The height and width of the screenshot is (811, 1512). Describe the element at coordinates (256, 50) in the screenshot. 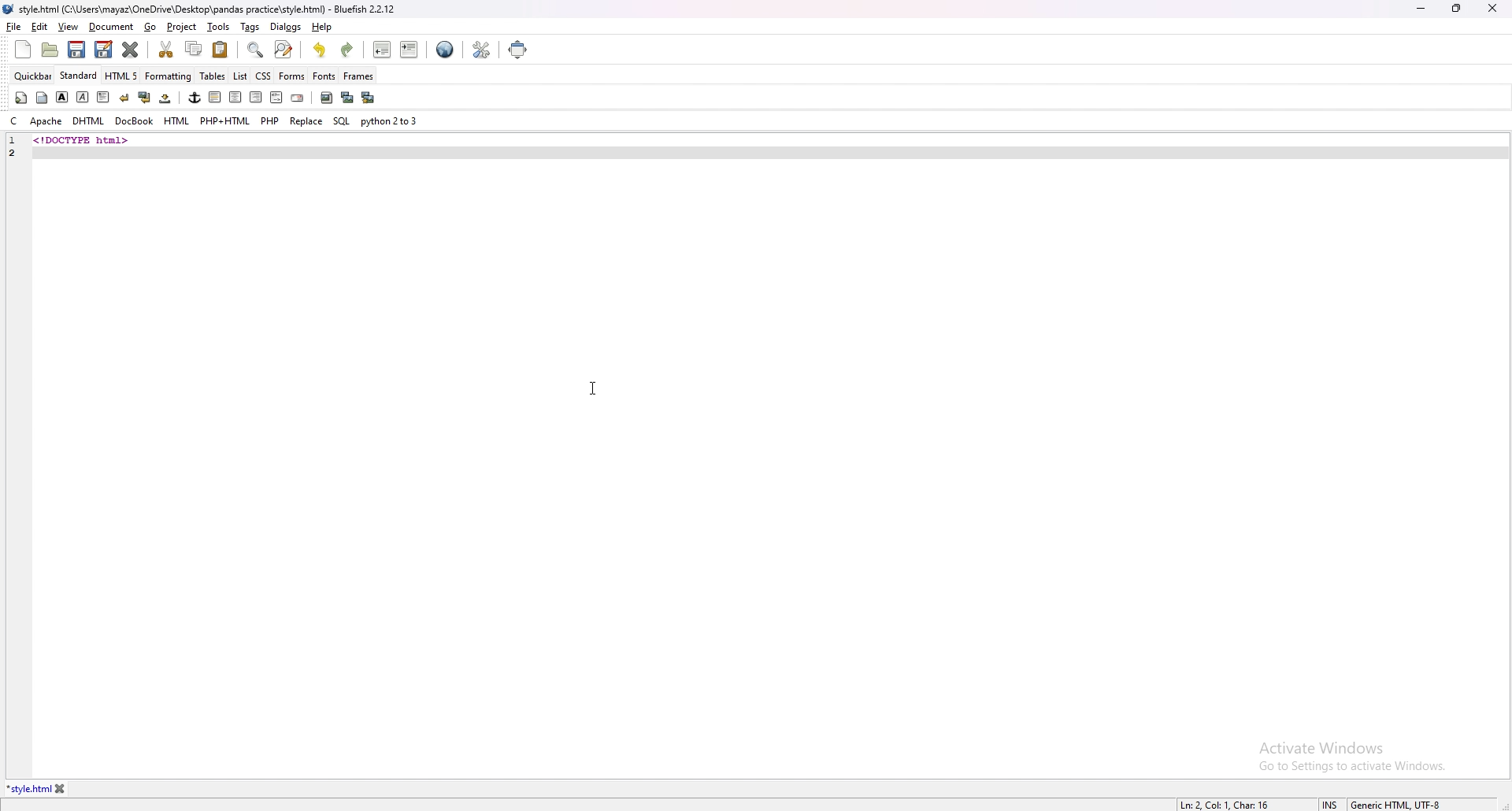

I see `find bar` at that location.